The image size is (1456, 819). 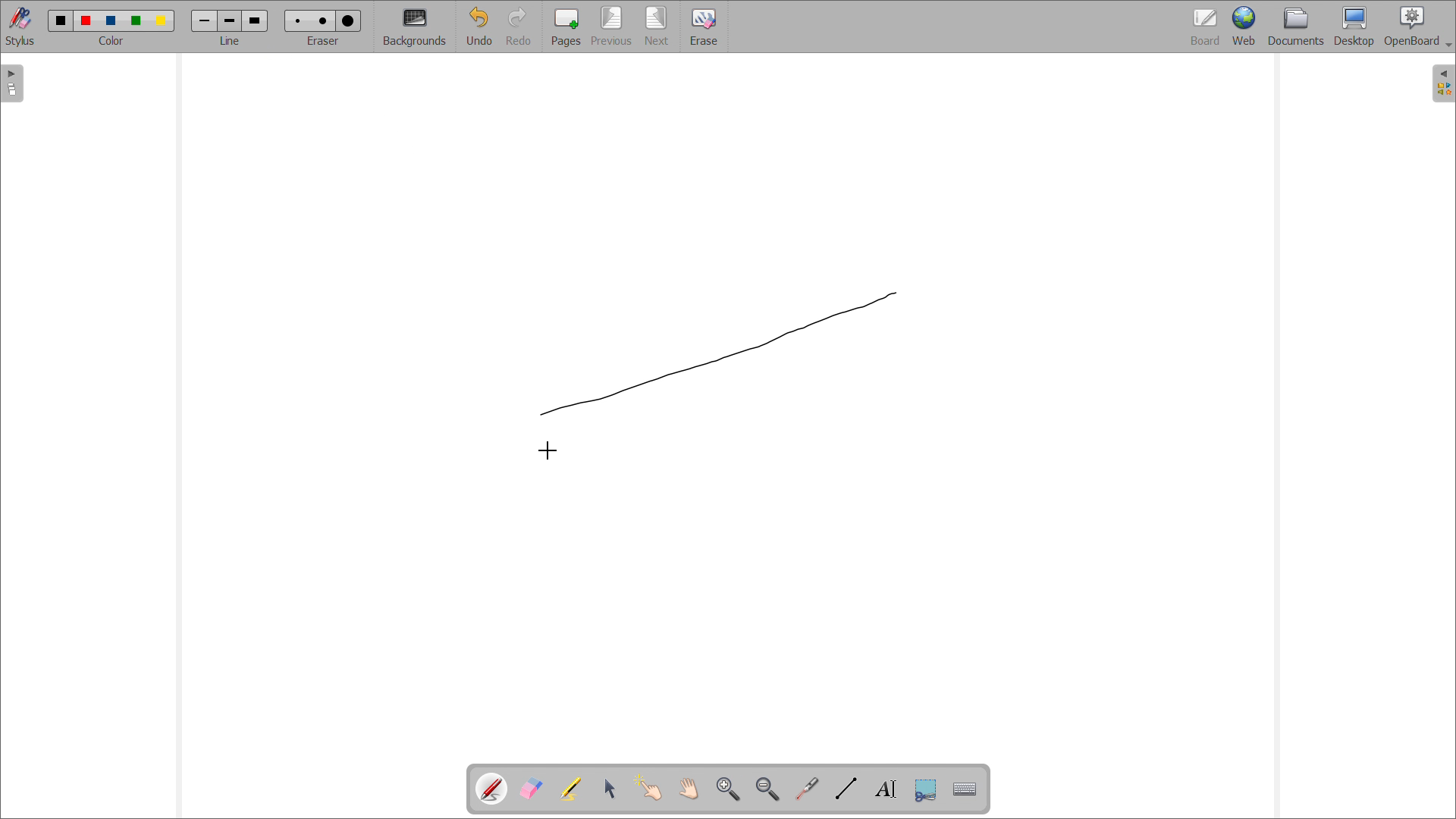 I want to click on previous page, so click(x=612, y=26).